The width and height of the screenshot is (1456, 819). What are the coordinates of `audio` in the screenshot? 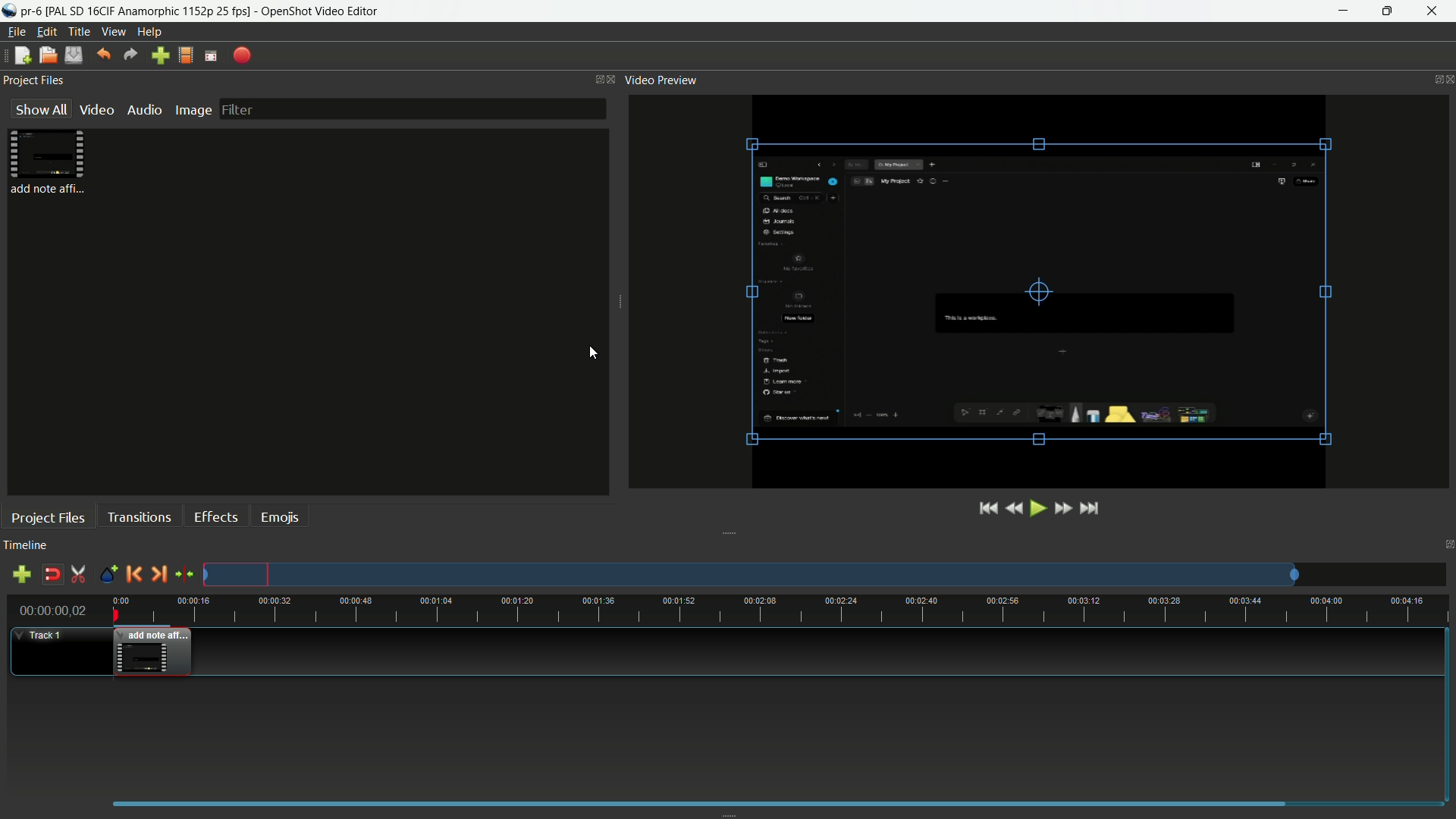 It's located at (145, 109).